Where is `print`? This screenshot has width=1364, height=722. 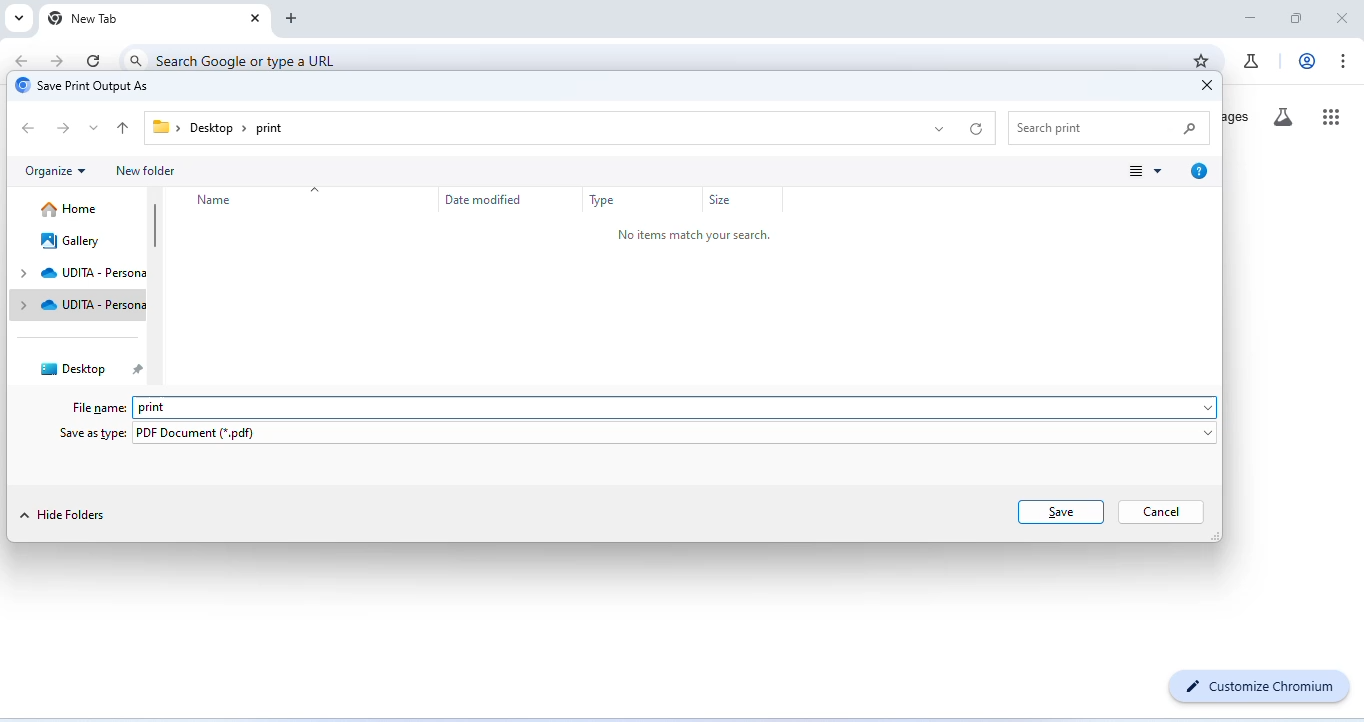
print is located at coordinates (269, 129).